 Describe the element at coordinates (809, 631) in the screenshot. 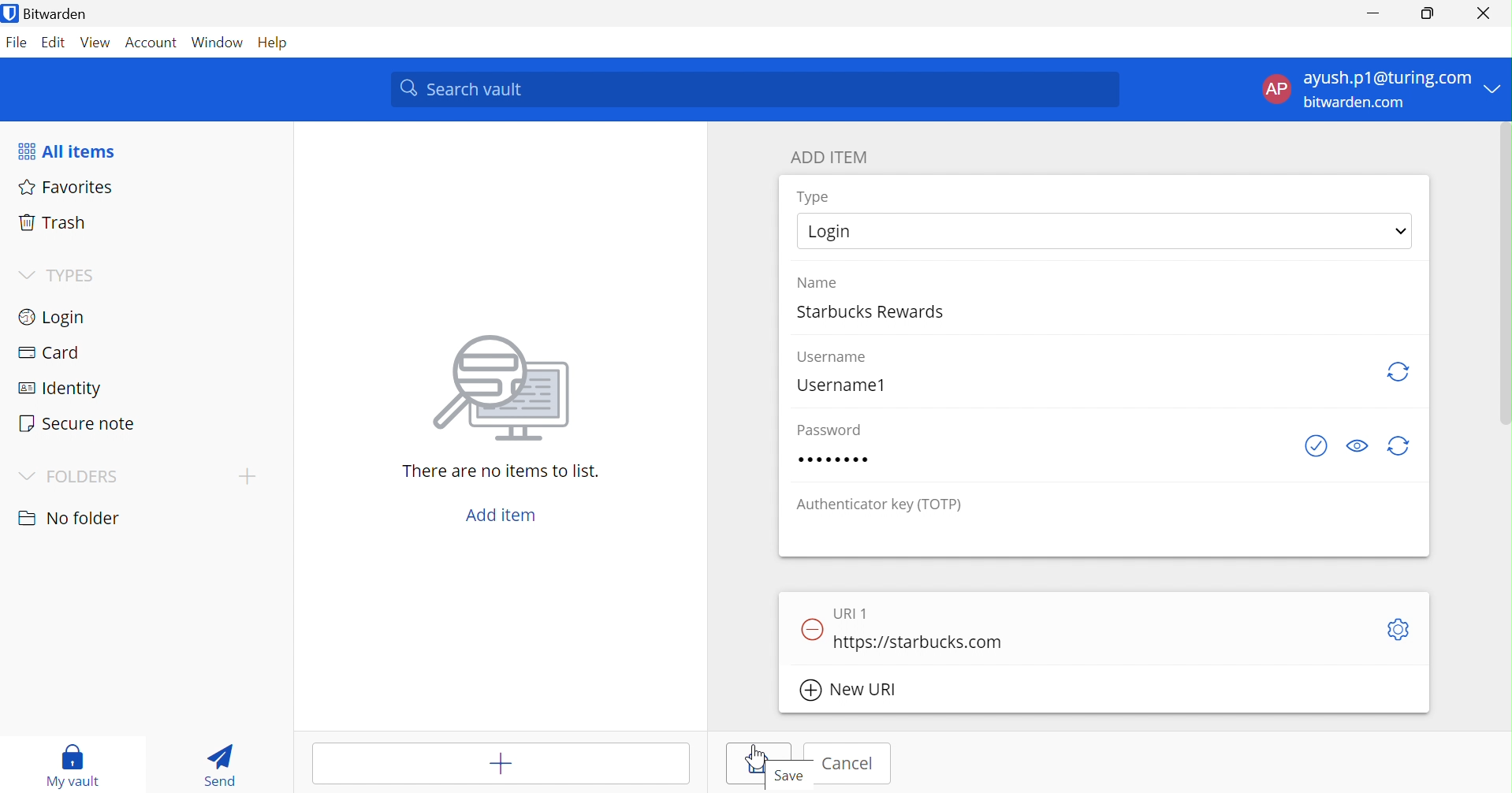

I see `Remove` at that location.